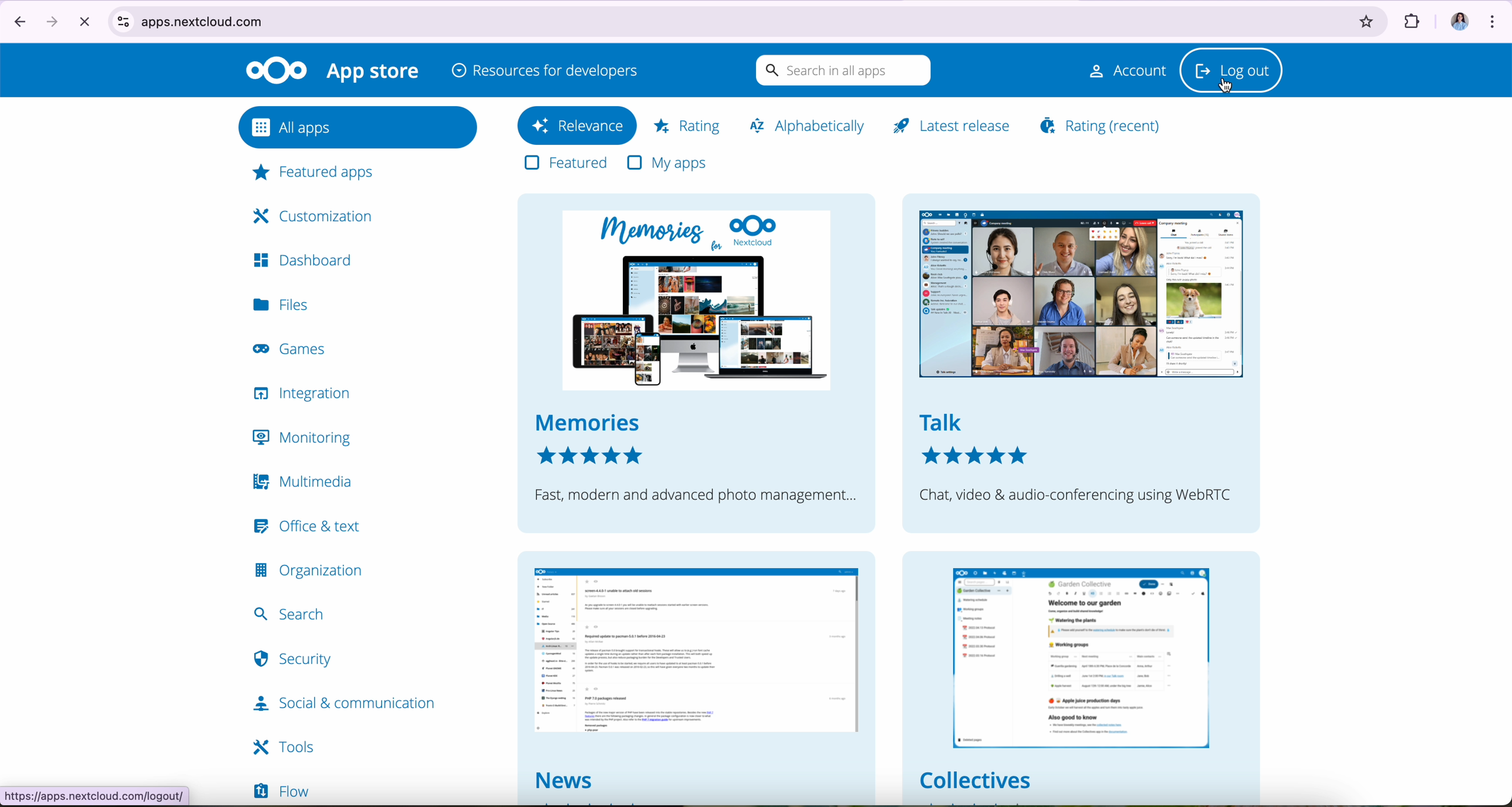 The width and height of the screenshot is (1512, 807). What do you see at coordinates (375, 73) in the screenshot?
I see `appstore` at bounding box center [375, 73].